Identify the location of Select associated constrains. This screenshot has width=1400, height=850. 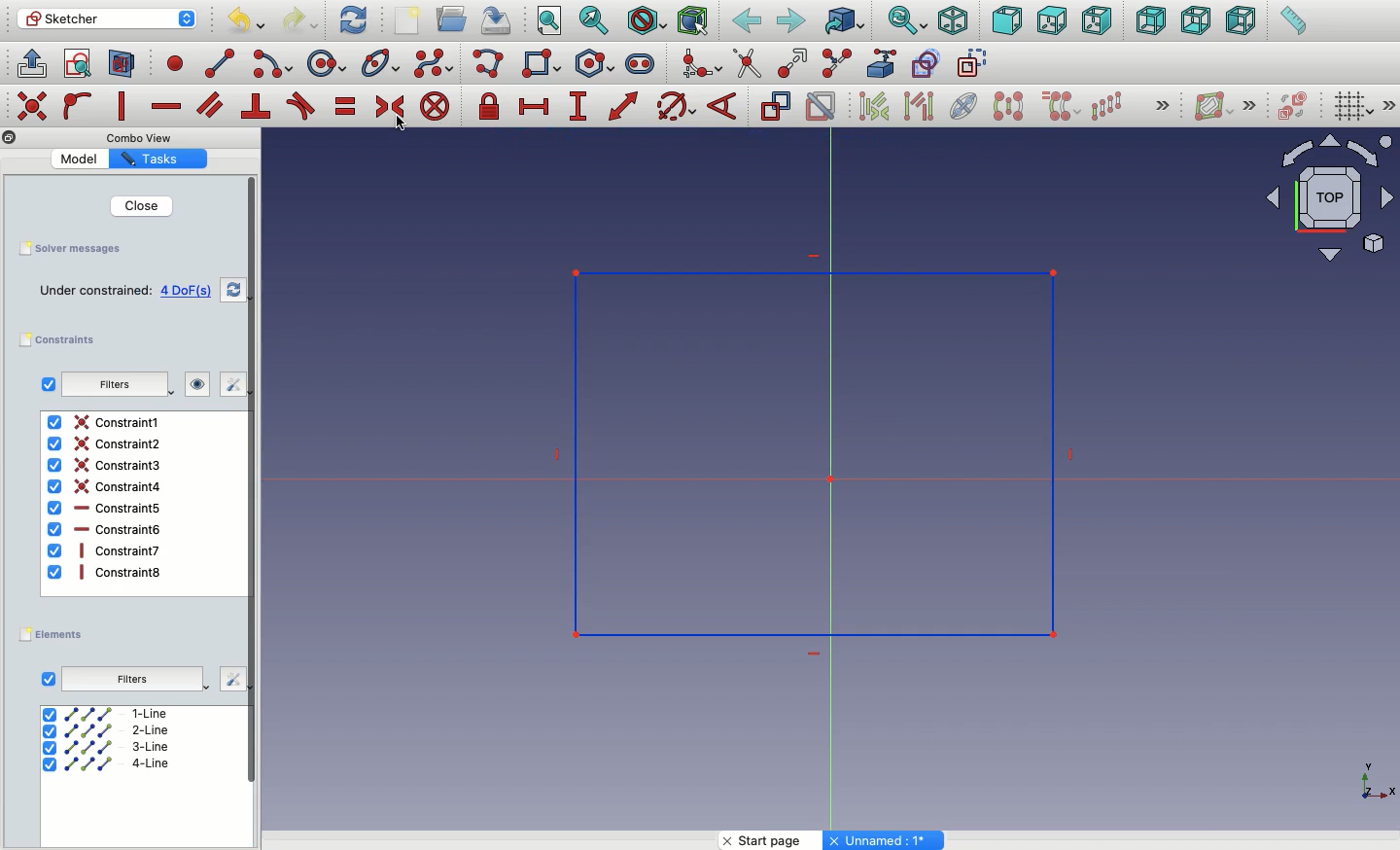
(870, 106).